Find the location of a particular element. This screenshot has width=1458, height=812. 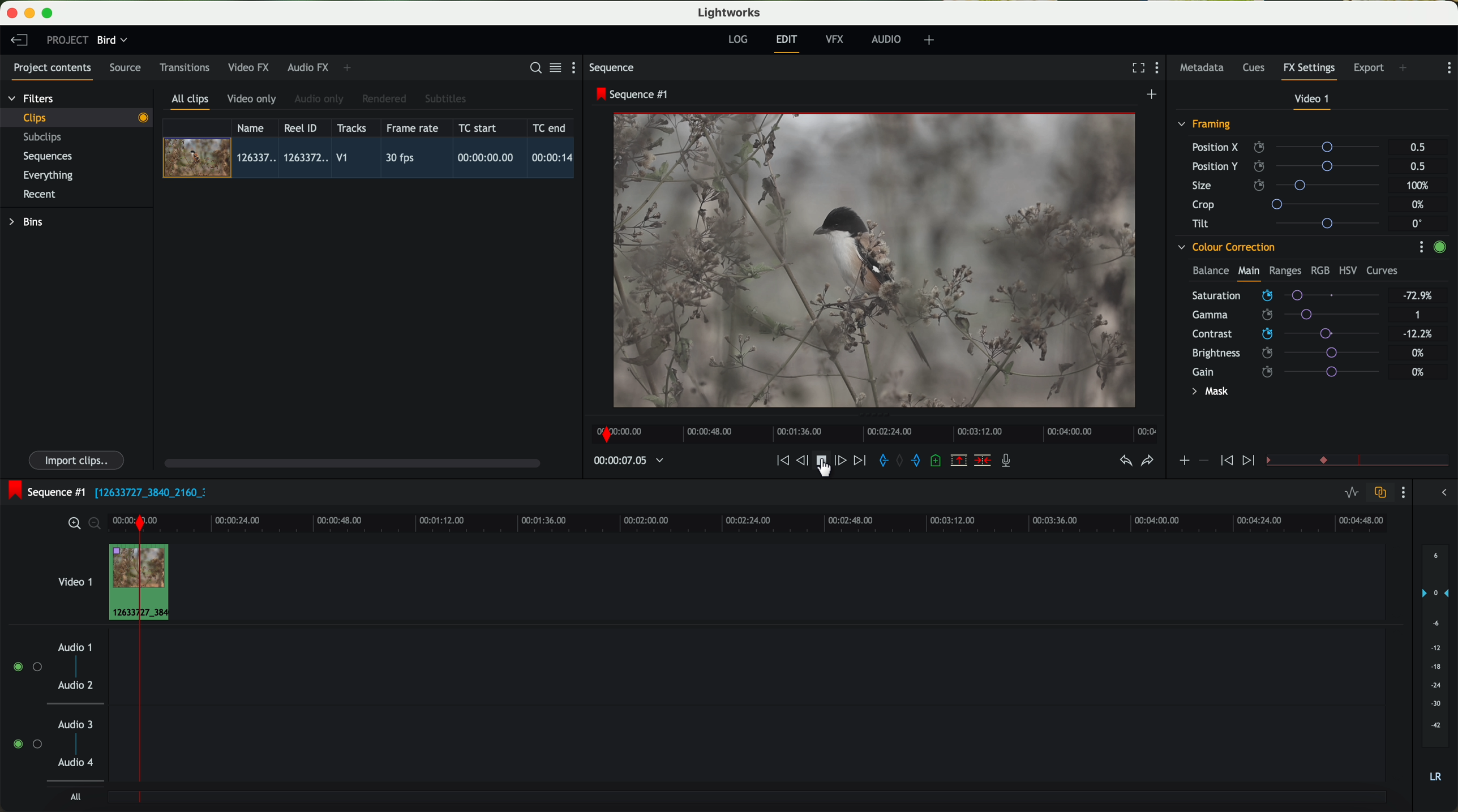

toggle auto track sync is located at coordinates (1378, 493).